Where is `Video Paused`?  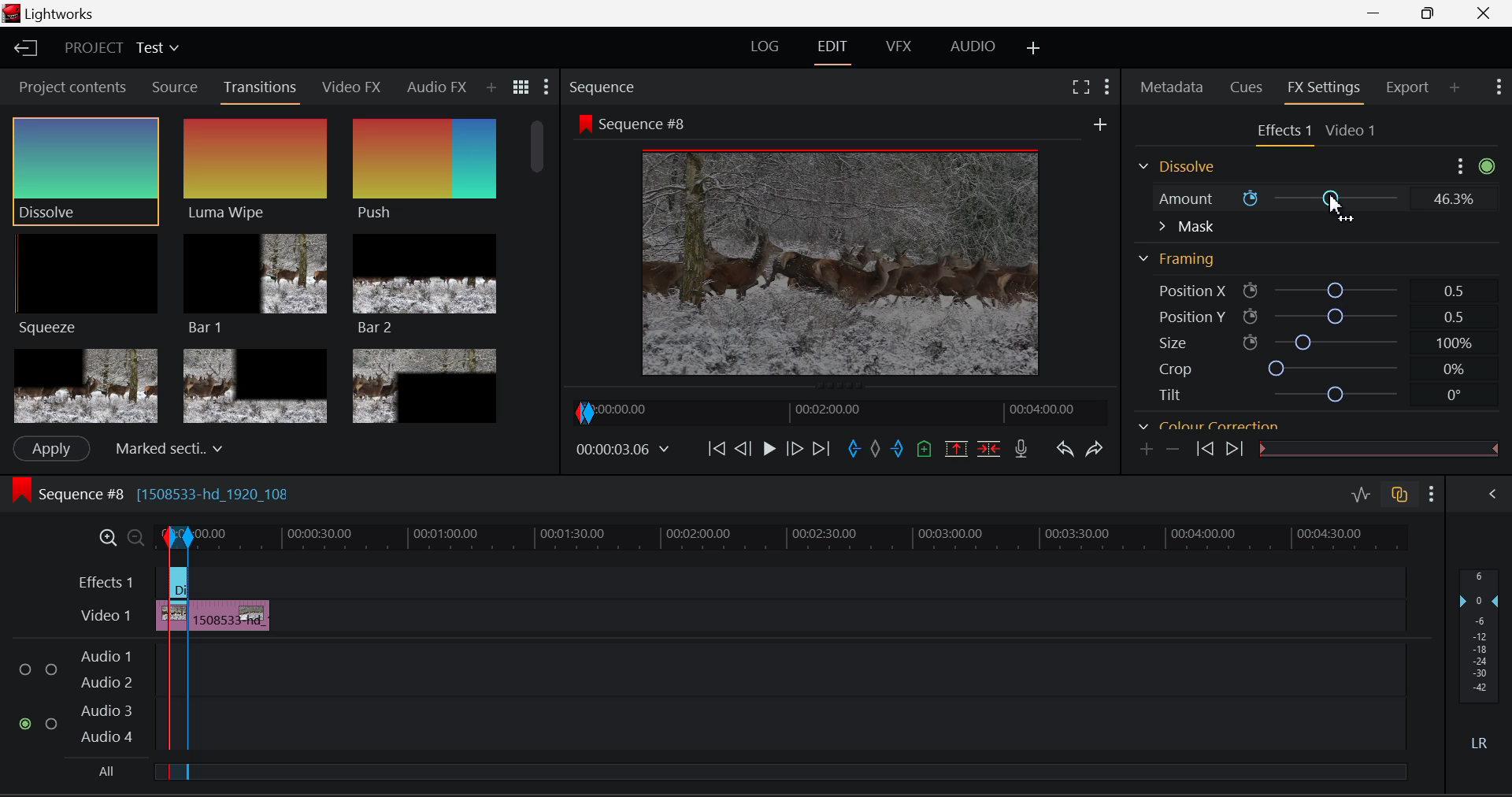 Video Paused is located at coordinates (767, 450).